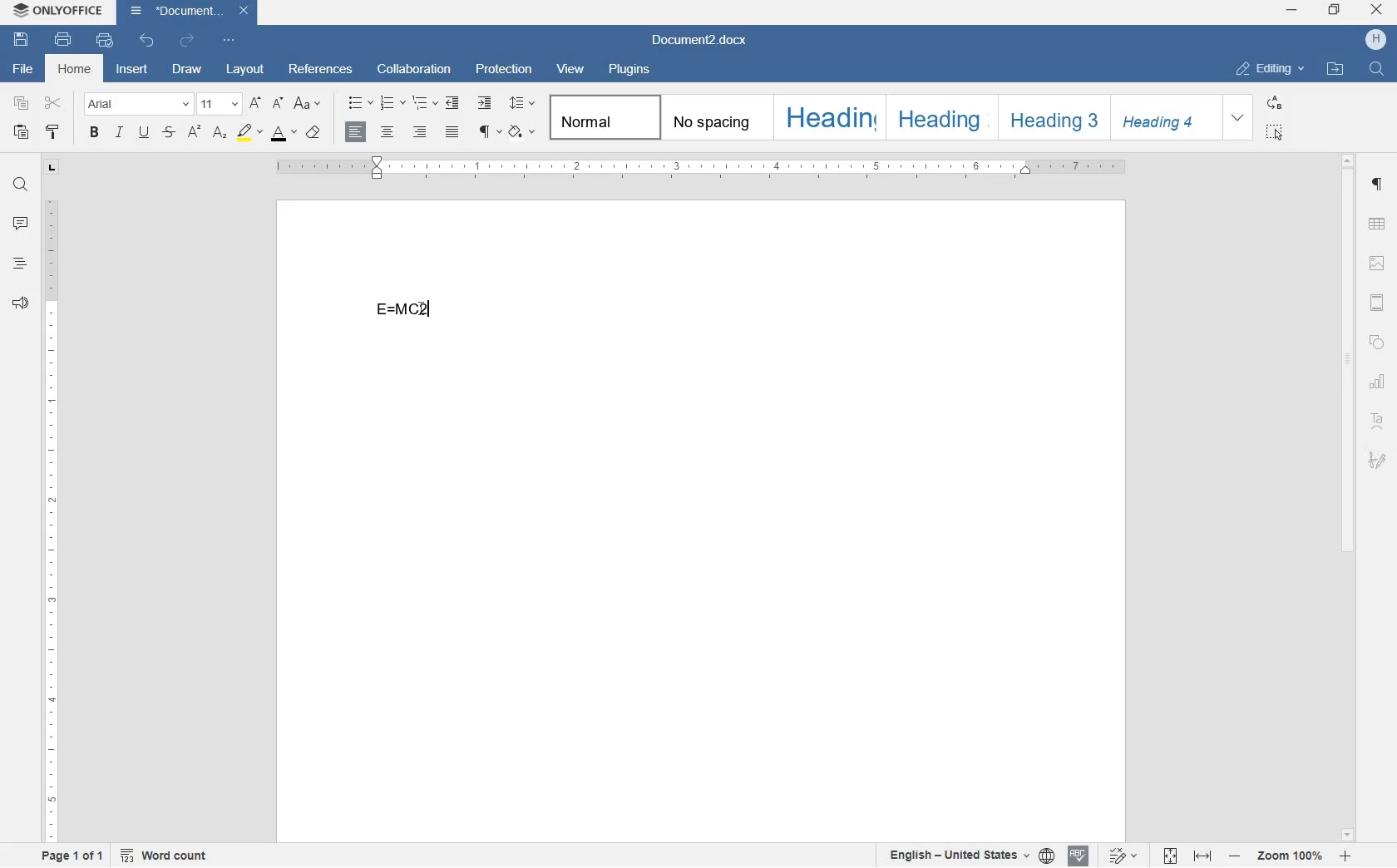  Describe the element at coordinates (219, 133) in the screenshot. I see `subscript` at that location.